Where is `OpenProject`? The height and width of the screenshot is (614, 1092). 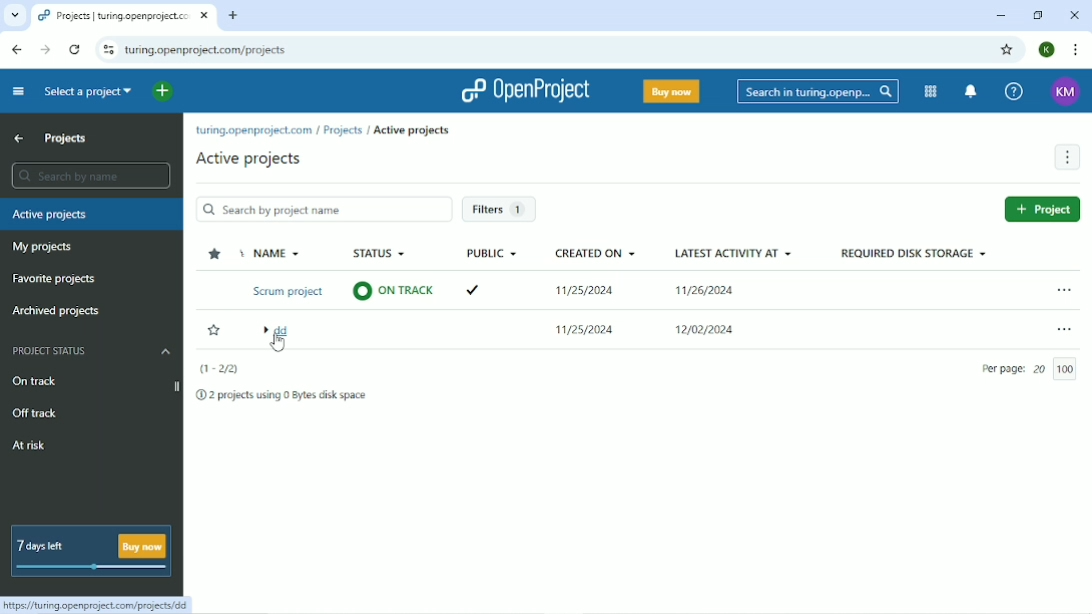 OpenProject is located at coordinates (521, 90).